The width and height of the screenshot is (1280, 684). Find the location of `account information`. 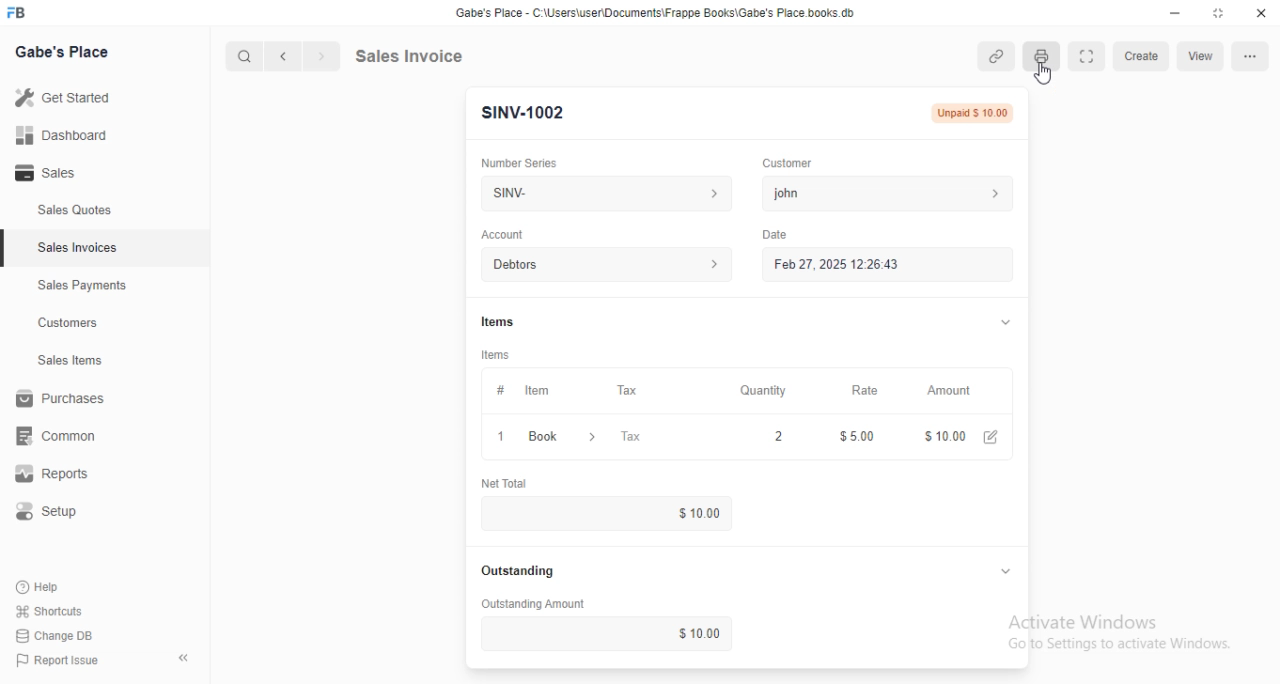

account information is located at coordinates (715, 265).